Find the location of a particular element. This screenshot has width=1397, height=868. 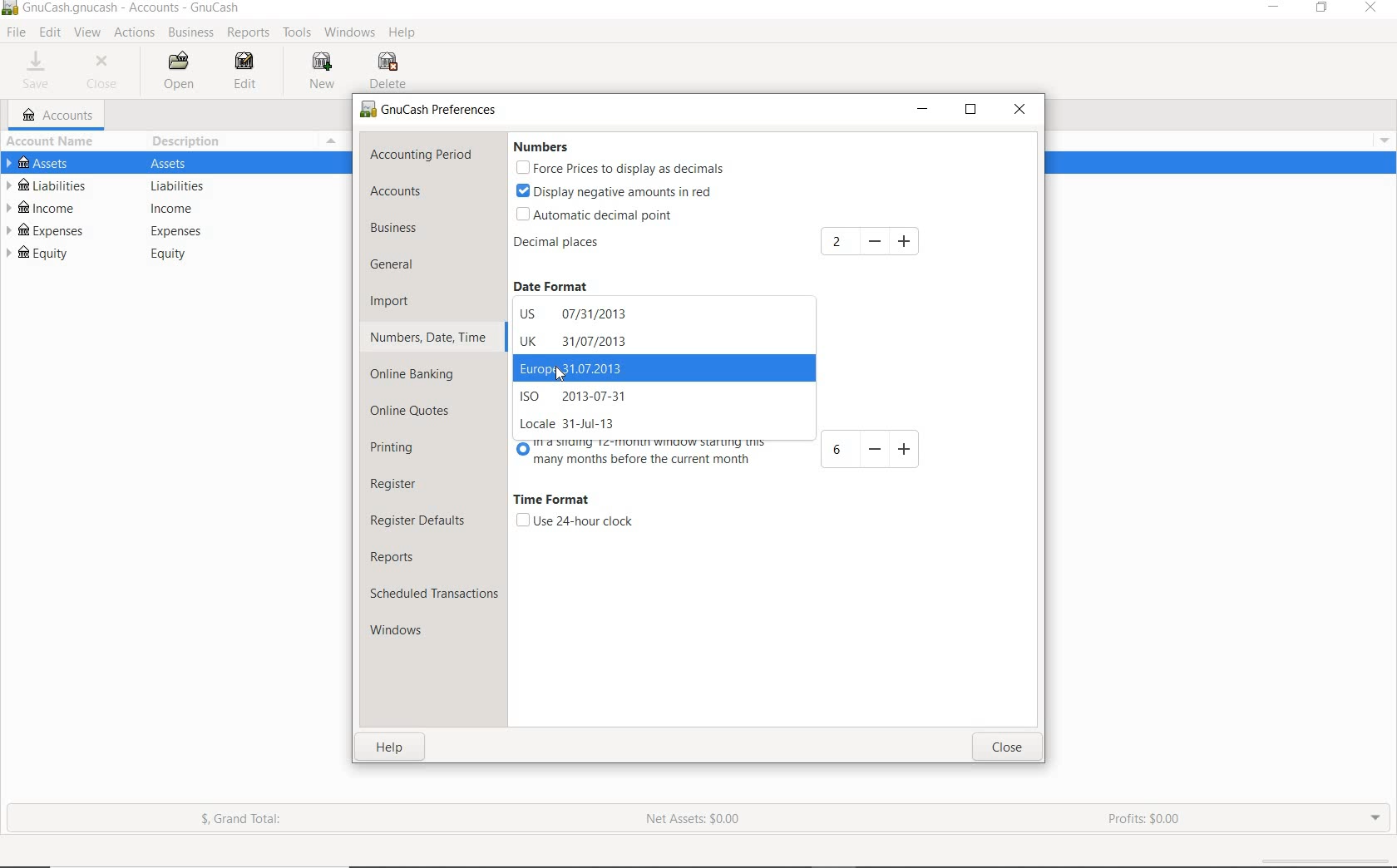

numbers is located at coordinates (539, 147).